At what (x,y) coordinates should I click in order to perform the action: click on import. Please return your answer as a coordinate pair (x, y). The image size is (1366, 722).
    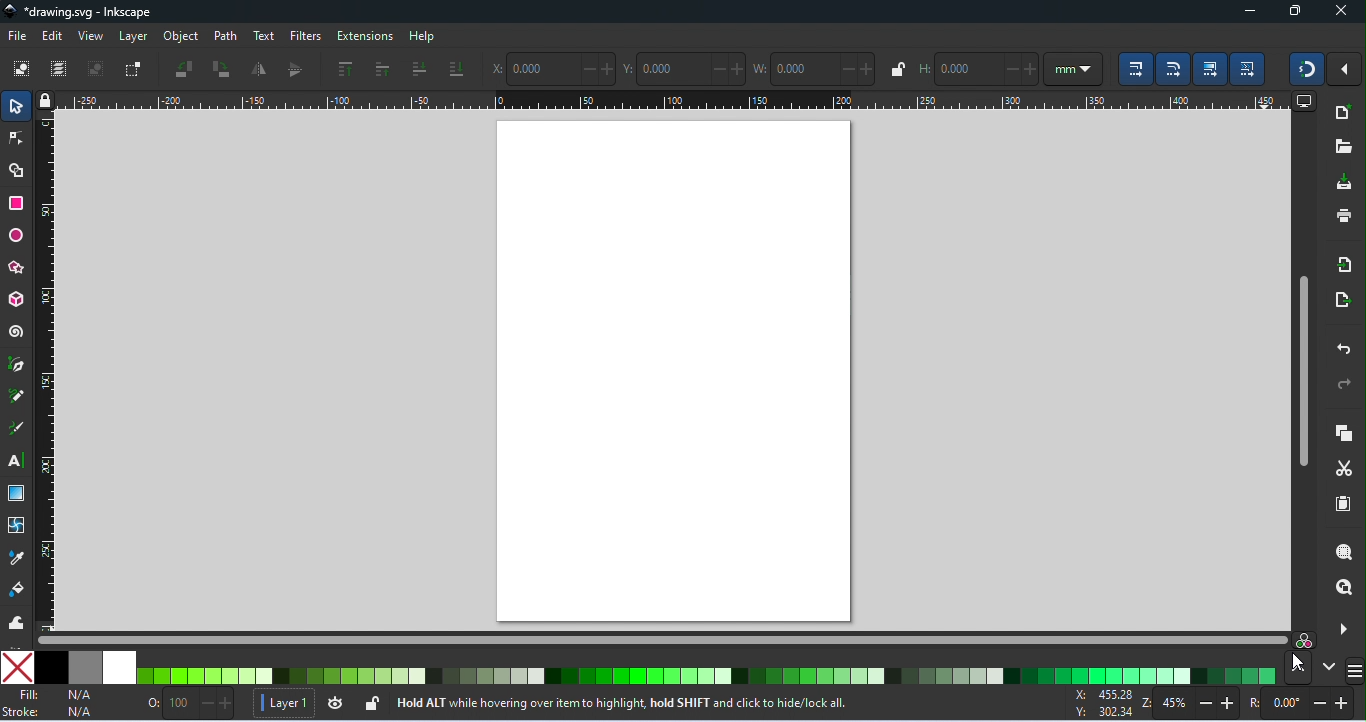
    Looking at the image, I should click on (1346, 266).